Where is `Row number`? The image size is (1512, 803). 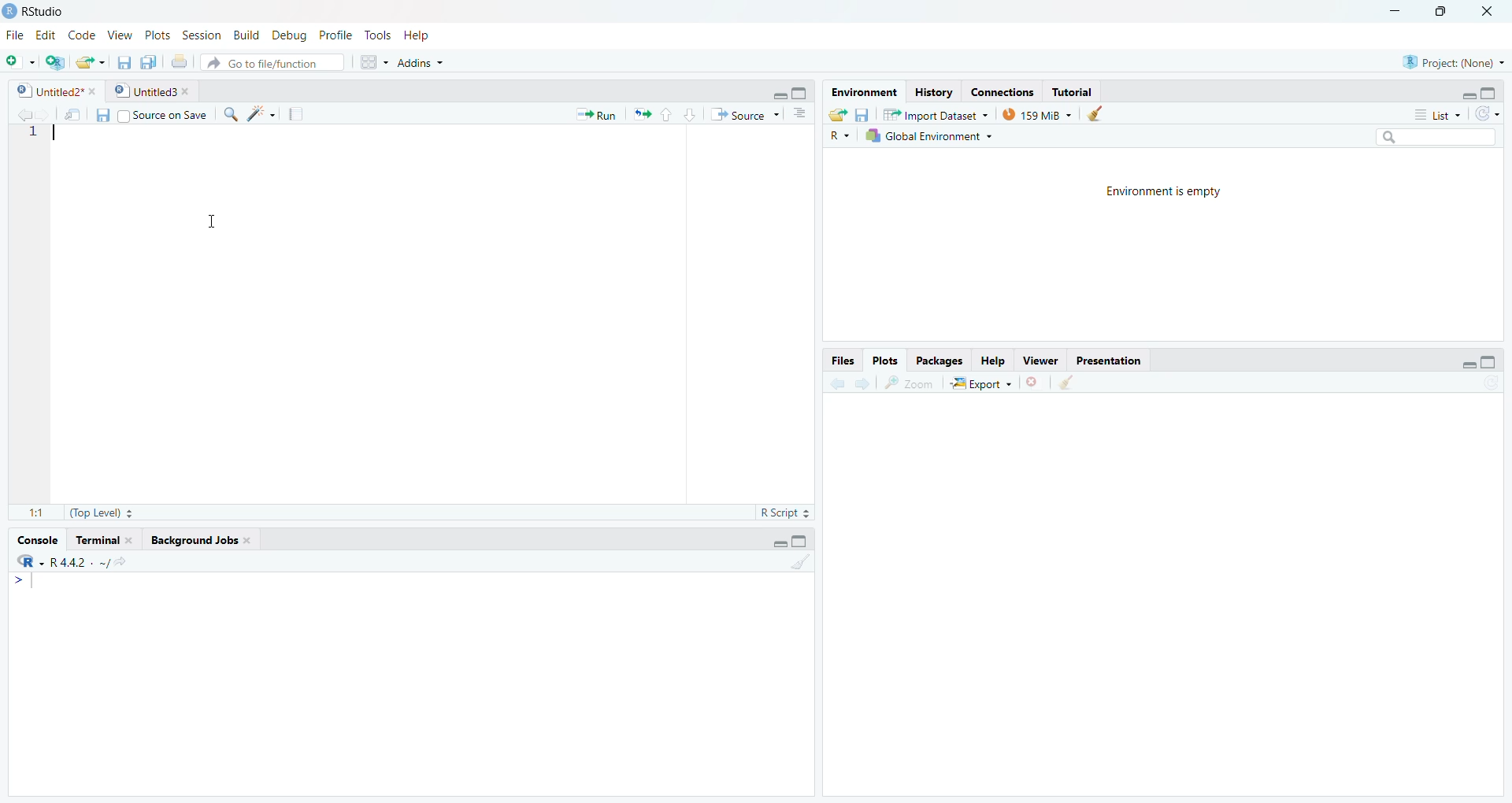
Row number is located at coordinates (28, 136).